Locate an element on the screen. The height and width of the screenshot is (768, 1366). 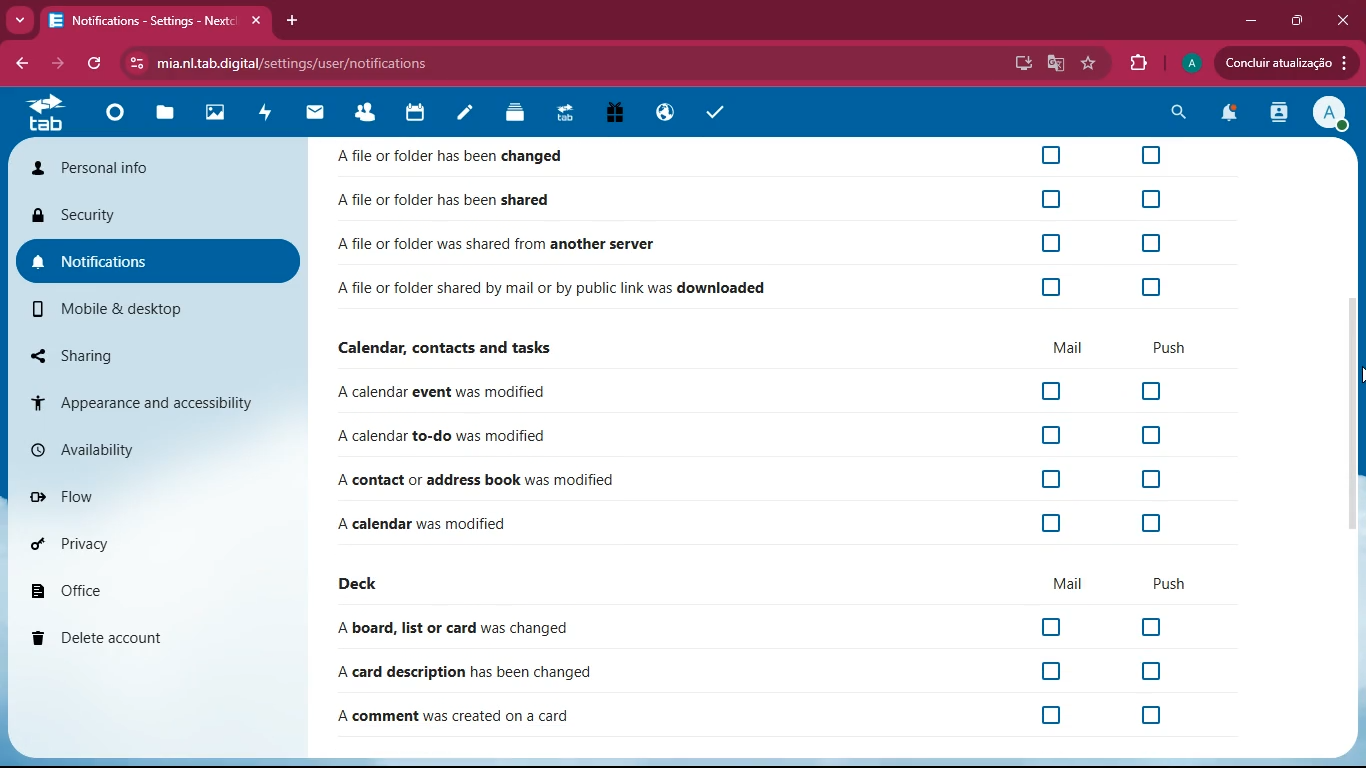
Concluir atualizacao is located at coordinates (1289, 64).